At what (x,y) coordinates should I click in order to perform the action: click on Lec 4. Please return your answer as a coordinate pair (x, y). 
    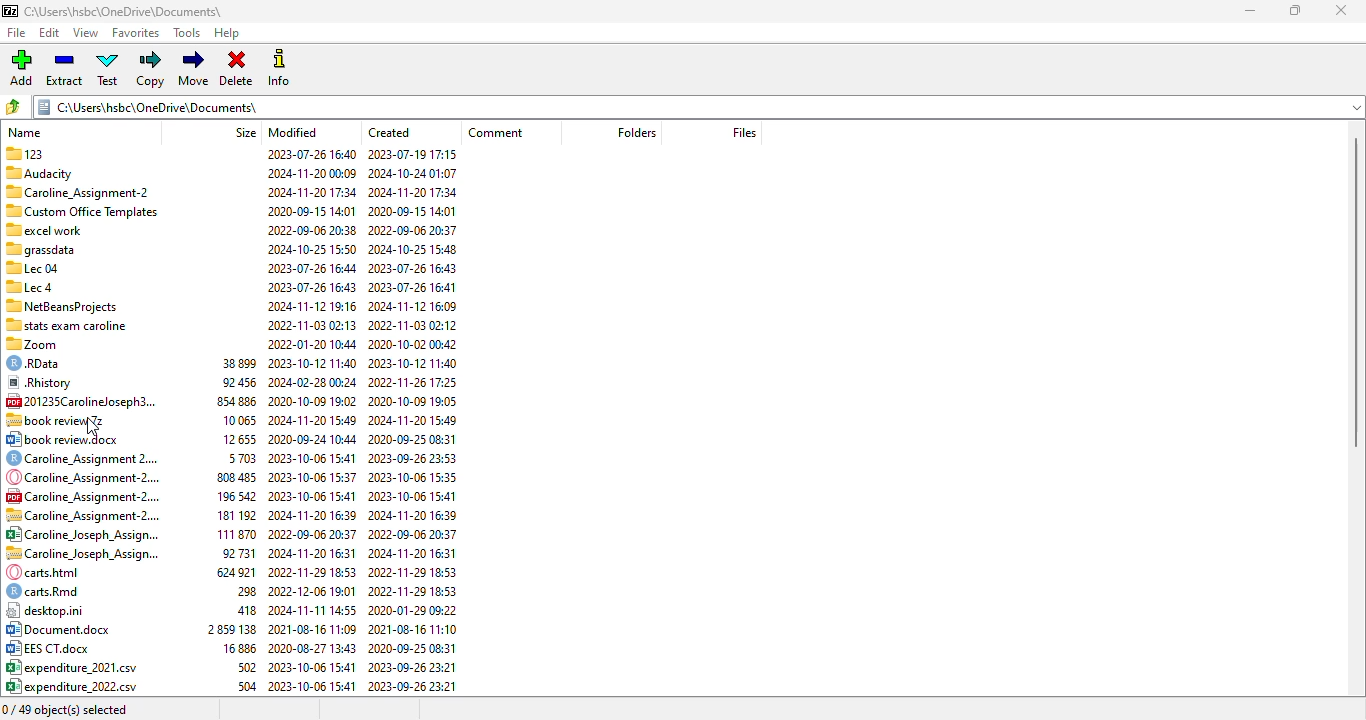
    Looking at the image, I should click on (32, 286).